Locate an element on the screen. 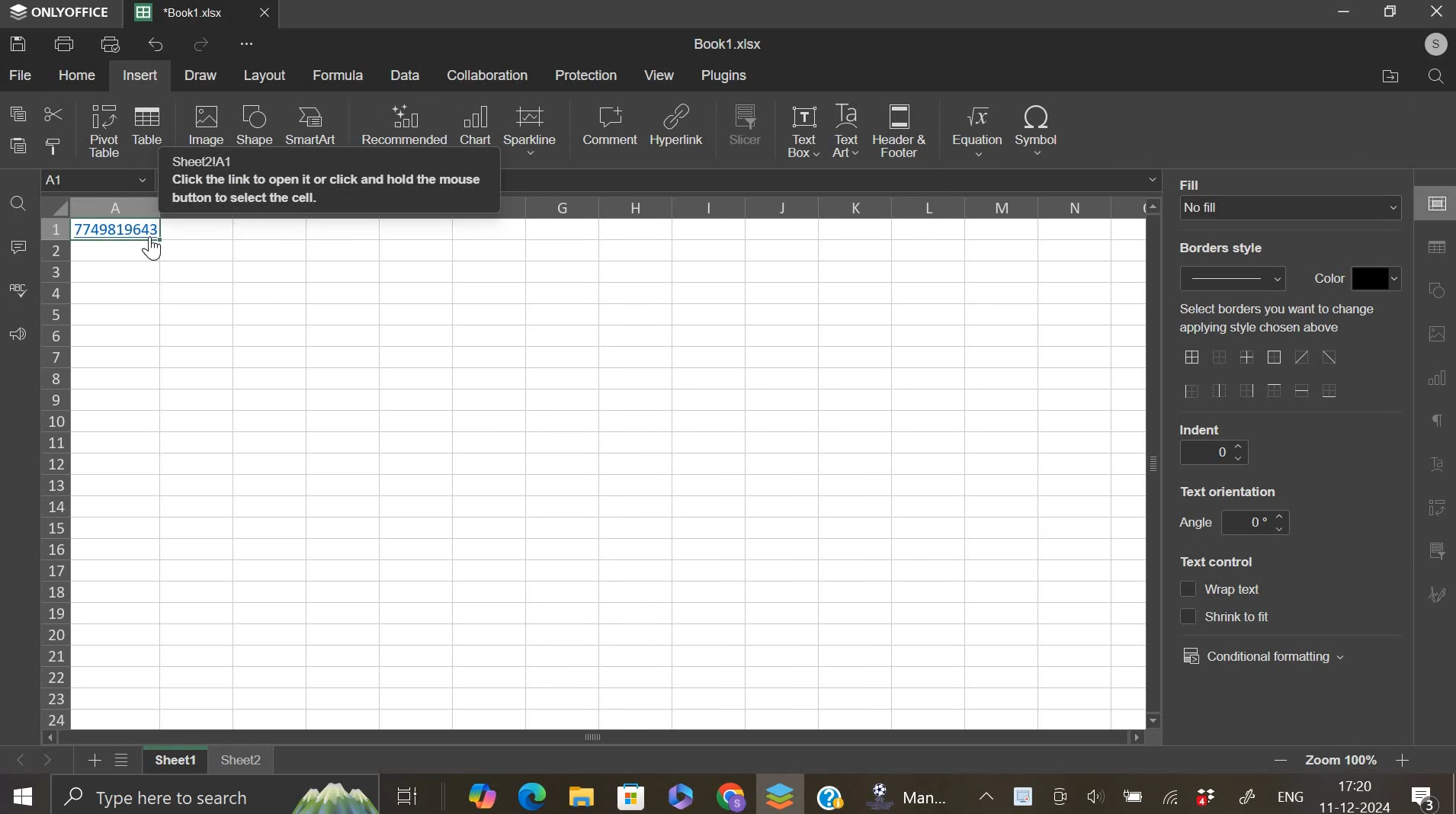 This screenshot has width=1456, height=814. close is located at coordinates (273, 16).